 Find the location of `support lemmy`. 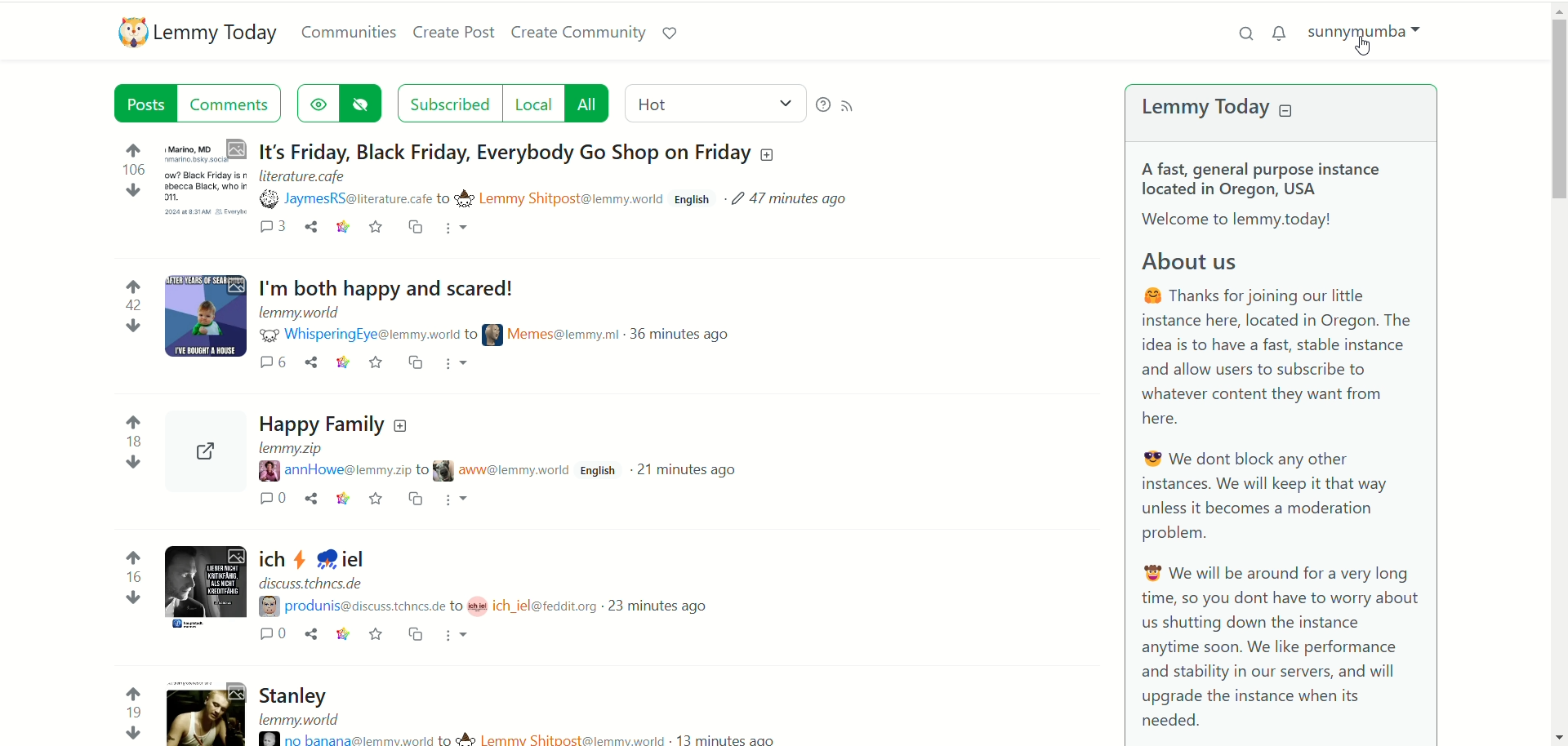

support lemmy is located at coordinates (675, 34).